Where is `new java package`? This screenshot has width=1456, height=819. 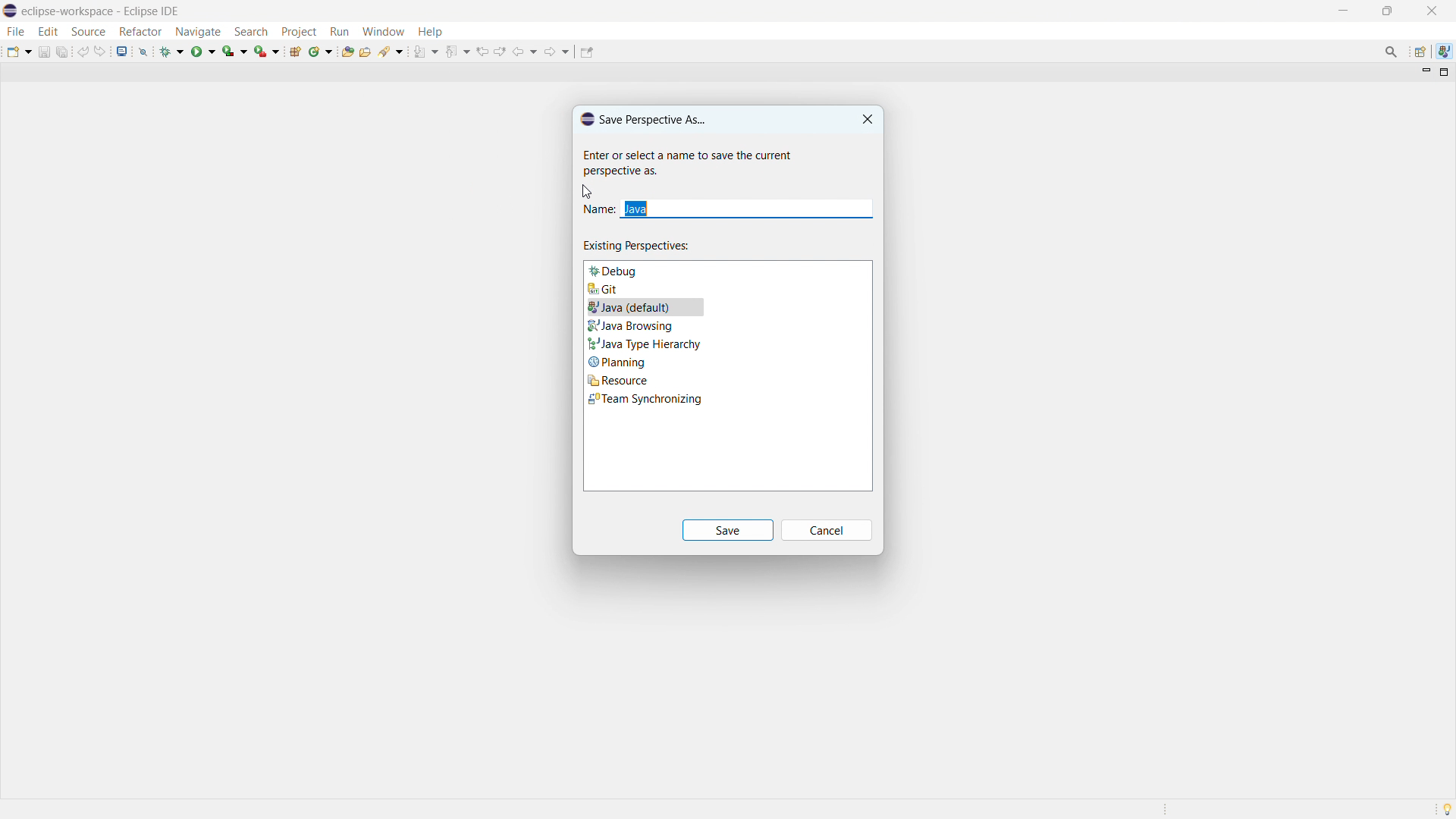 new java package is located at coordinates (295, 52).